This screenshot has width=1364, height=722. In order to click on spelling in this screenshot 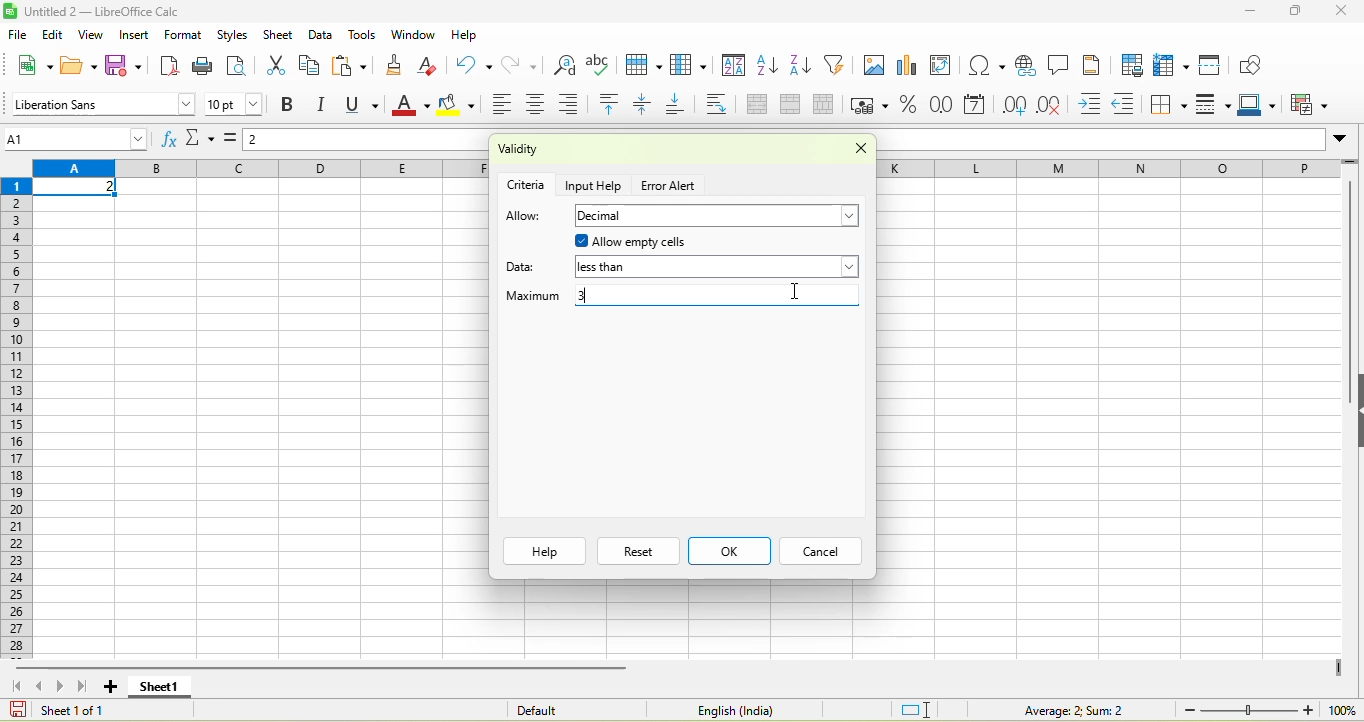, I will do `click(601, 65)`.